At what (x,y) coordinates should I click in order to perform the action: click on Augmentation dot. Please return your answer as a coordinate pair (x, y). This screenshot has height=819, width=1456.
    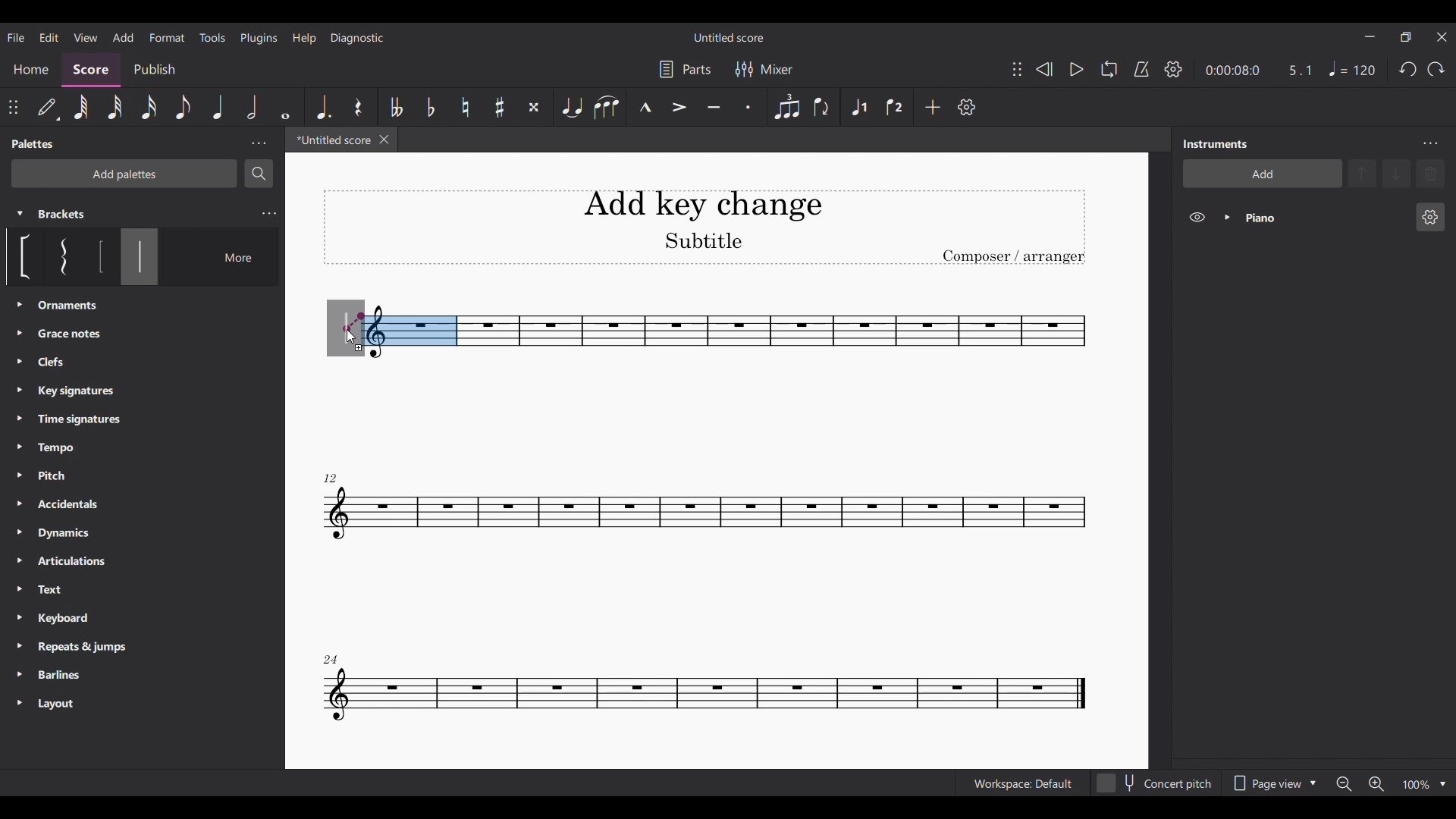
    Looking at the image, I should click on (322, 107).